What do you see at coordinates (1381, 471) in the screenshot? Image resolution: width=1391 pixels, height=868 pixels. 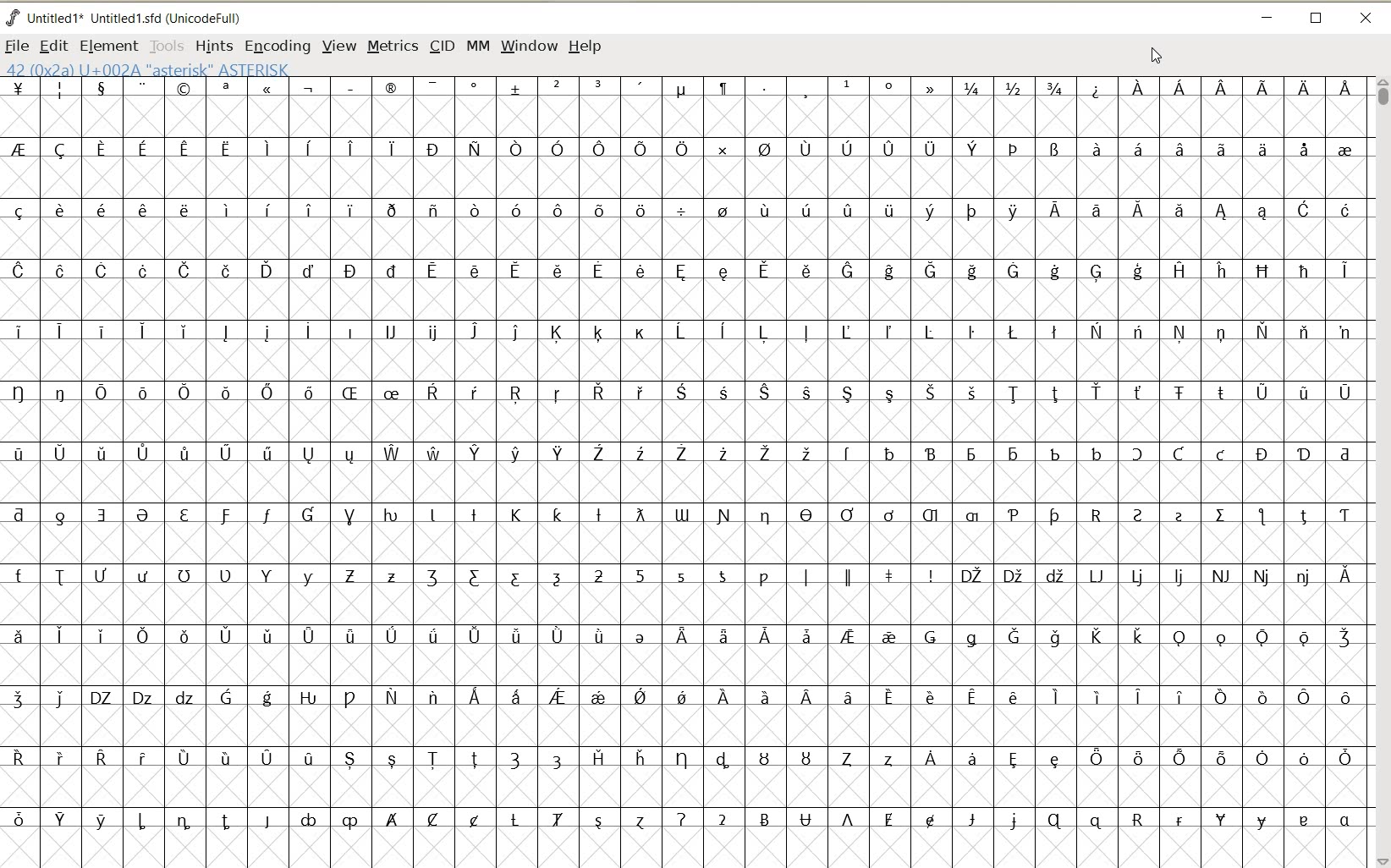 I see `SCROLLBAR` at bounding box center [1381, 471].